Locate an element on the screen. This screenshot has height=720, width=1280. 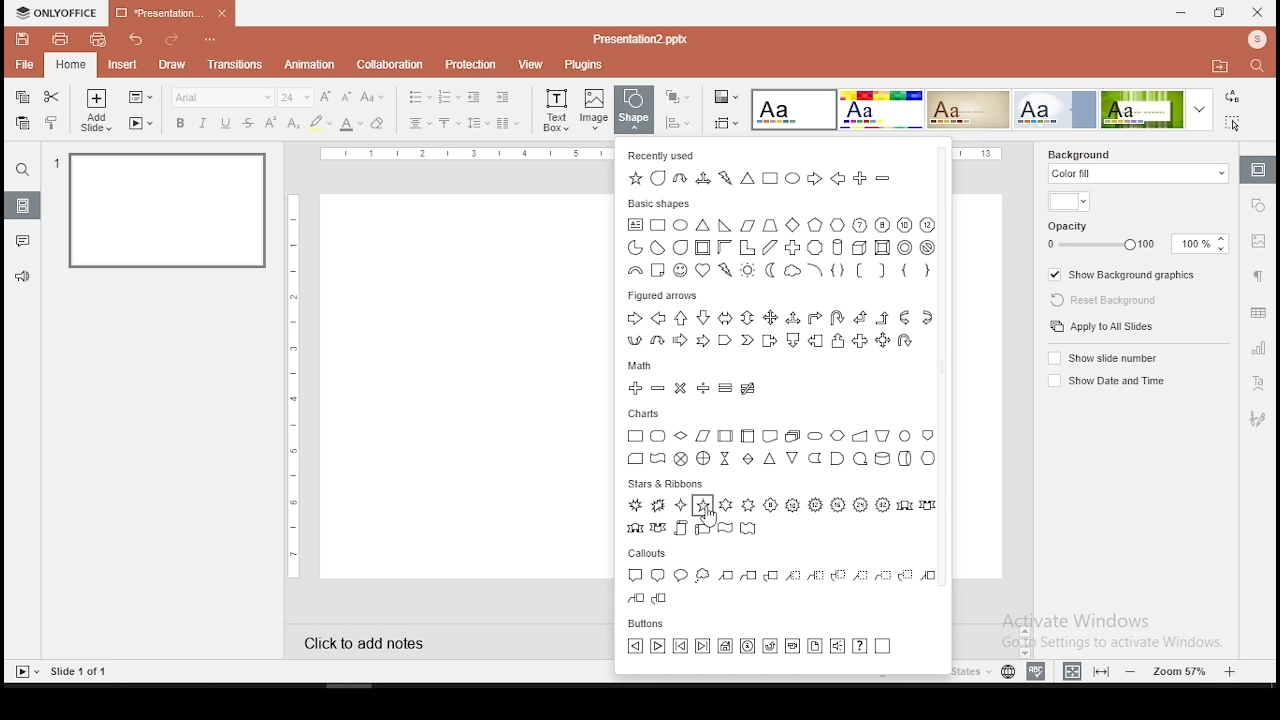
increase indent is located at coordinates (503, 96).